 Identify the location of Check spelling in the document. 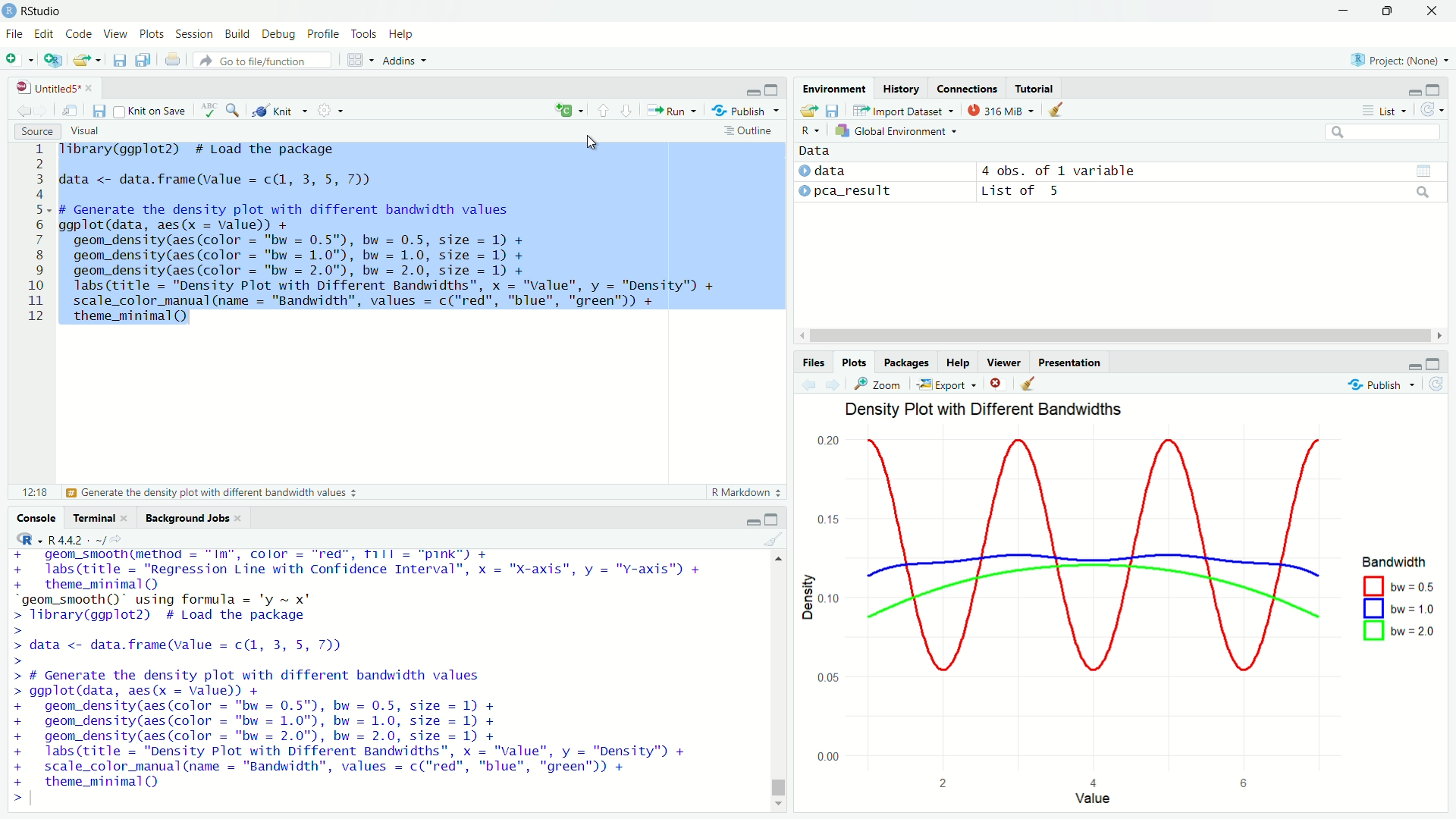
(209, 109).